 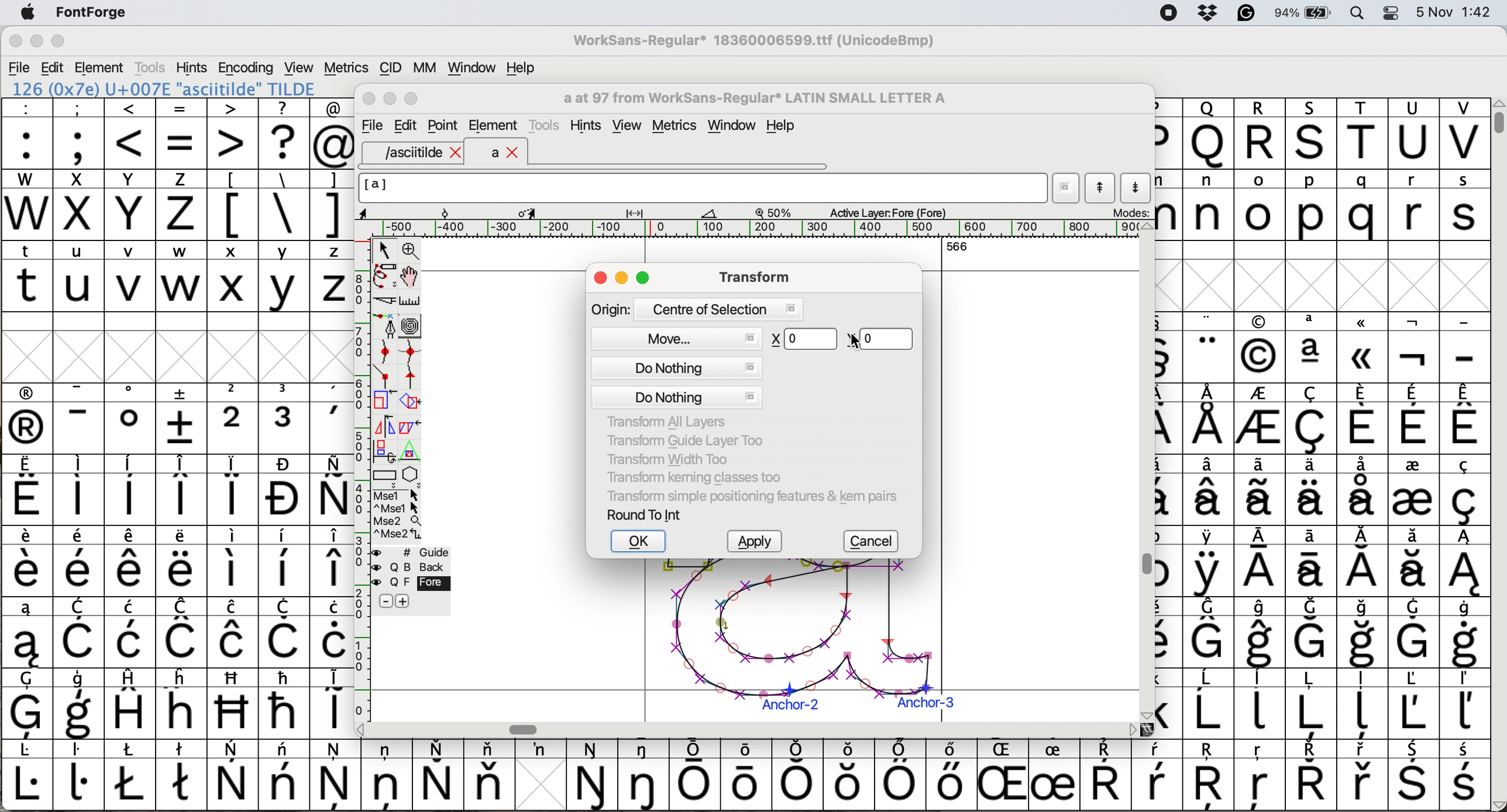 I want to click on maximise, so click(x=645, y=280).